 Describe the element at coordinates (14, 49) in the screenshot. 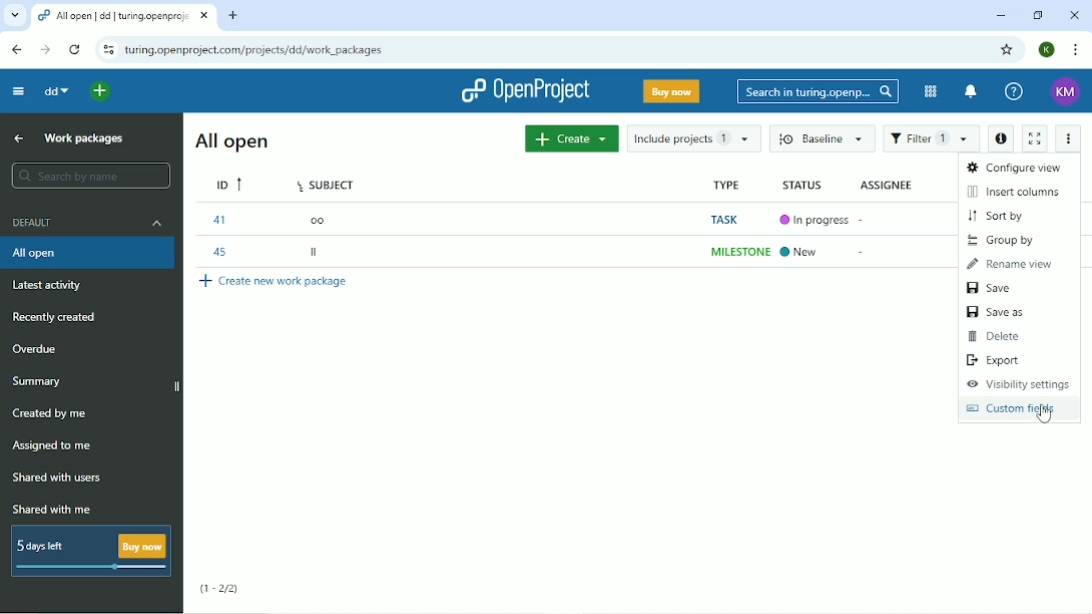

I see `backward` at that location.